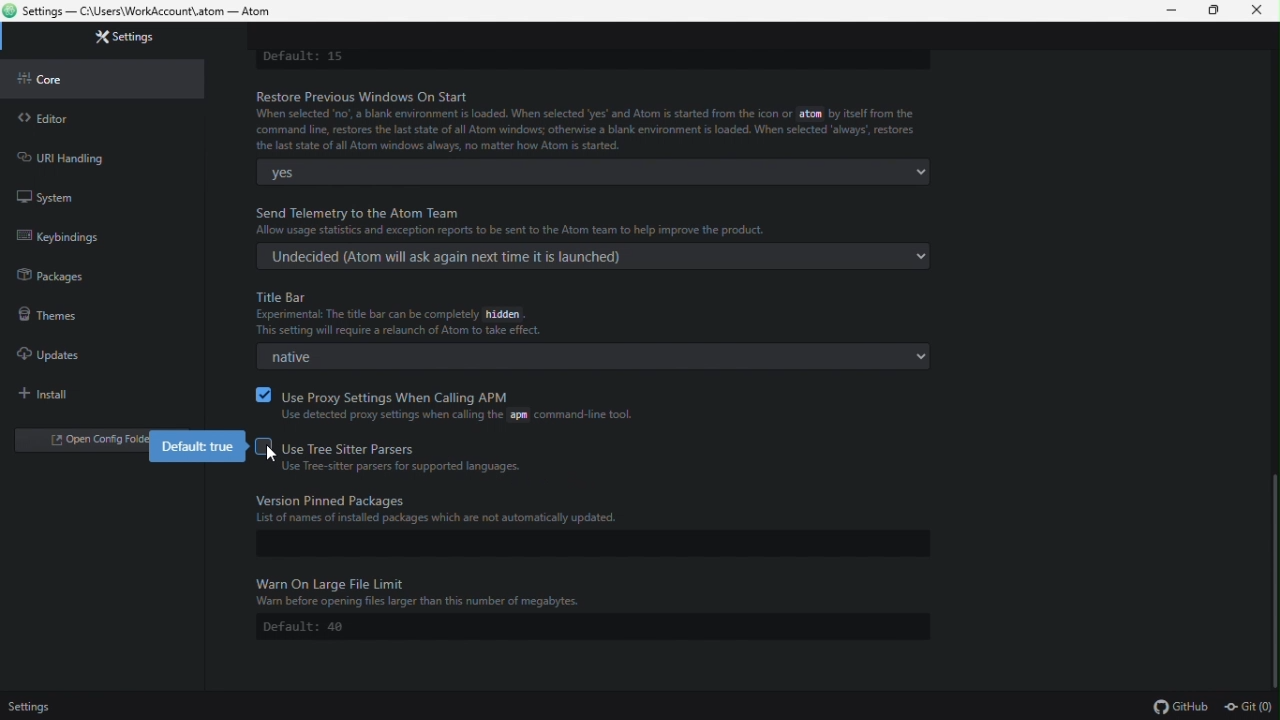 The height and width of the screenshot is (720, 1280). Describe the element at coordinates (1175, 11) in the screenshot. I see `minimize` at that location.